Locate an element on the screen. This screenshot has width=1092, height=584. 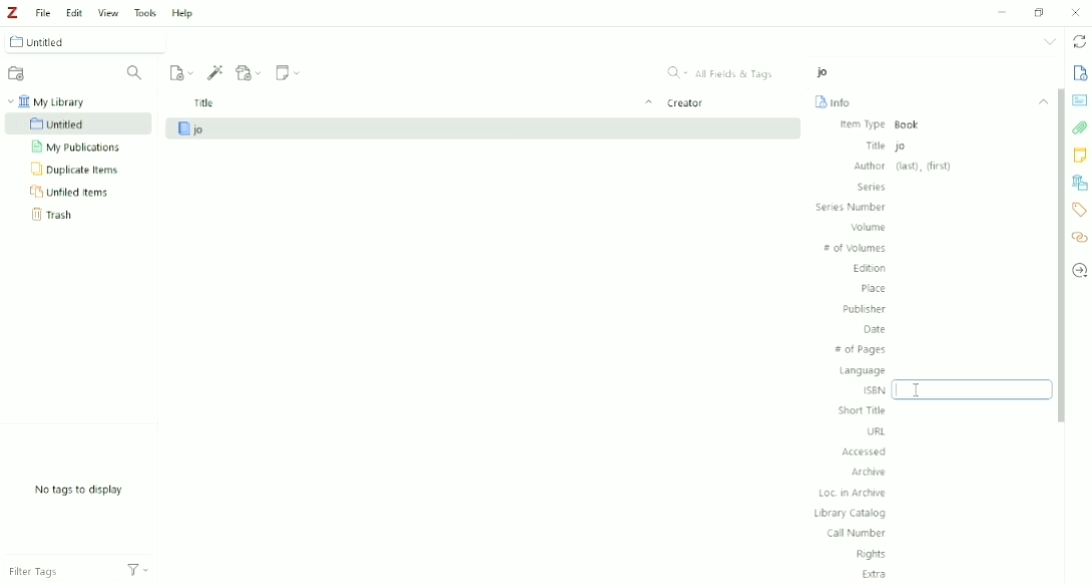
Short Title is located at coordinates (862, 410).